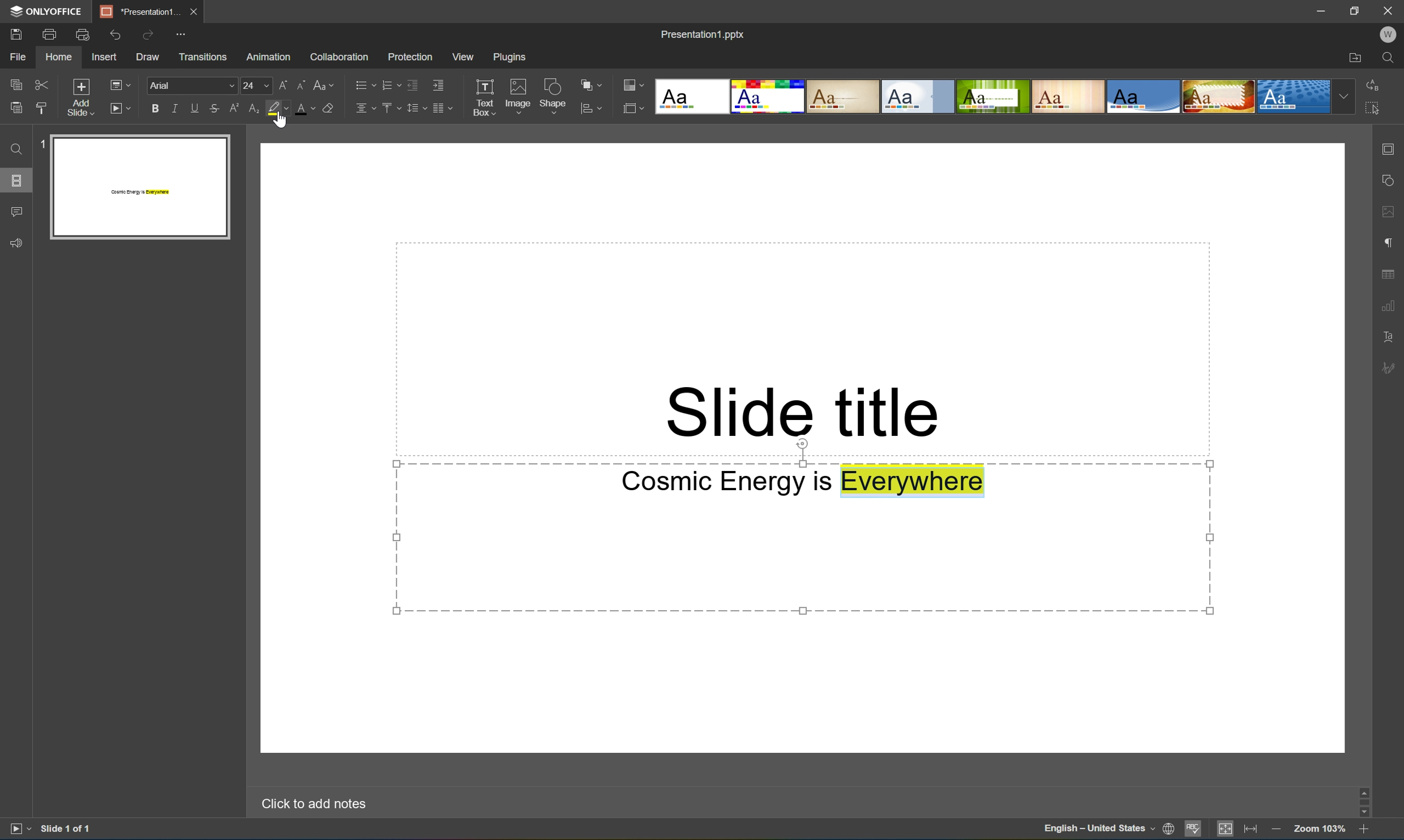  Describe the element at coordinates (1322, 11) in the screenshot. I see `Minimize` at that location.